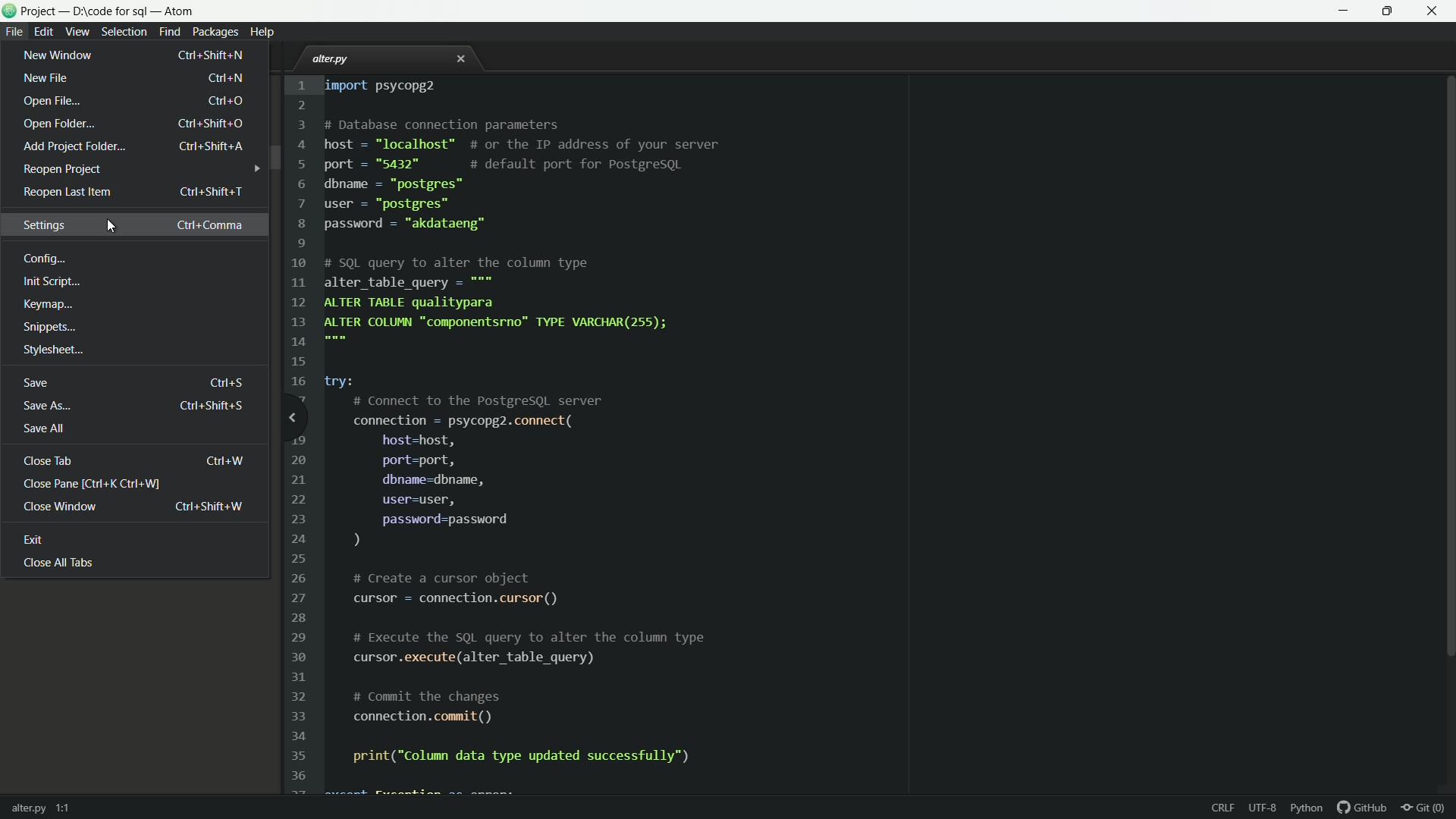 The width and height of the screenshot is (1456, 819). I want to click on selection menu, so click(124, 32).